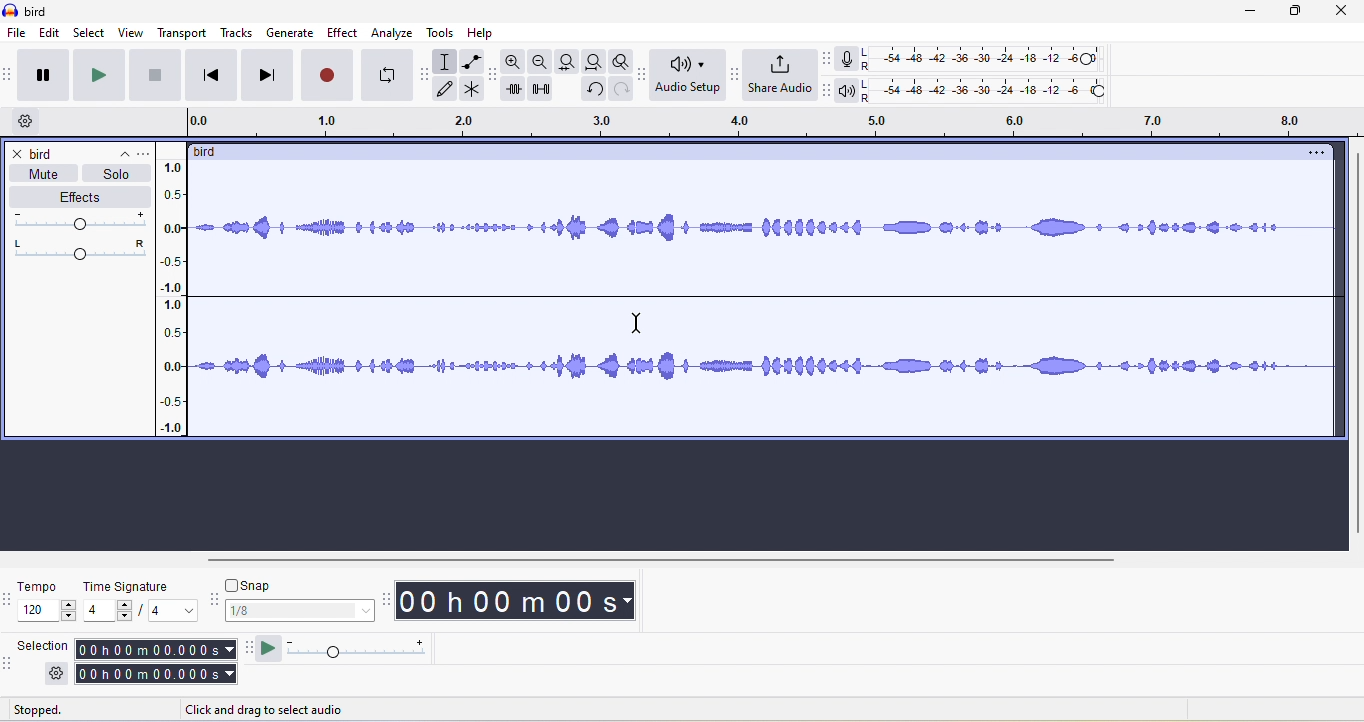 This screenshot has height=722, width=1364. What do you see at coordinates (366, 651) in the screenshot?
I see `play at speed` at bounding box center [366, 651].